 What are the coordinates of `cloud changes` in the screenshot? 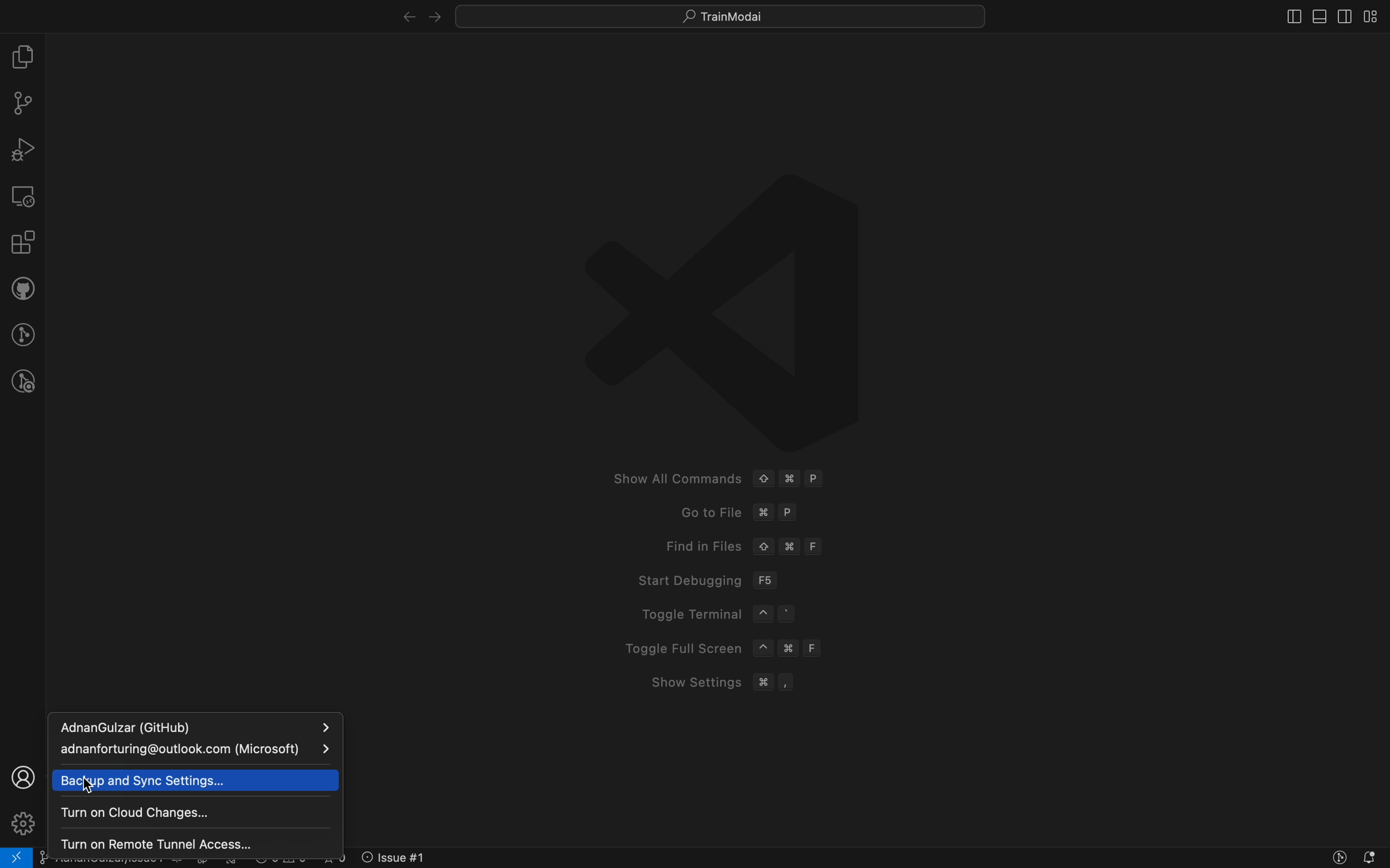 It's located at (196, 814).